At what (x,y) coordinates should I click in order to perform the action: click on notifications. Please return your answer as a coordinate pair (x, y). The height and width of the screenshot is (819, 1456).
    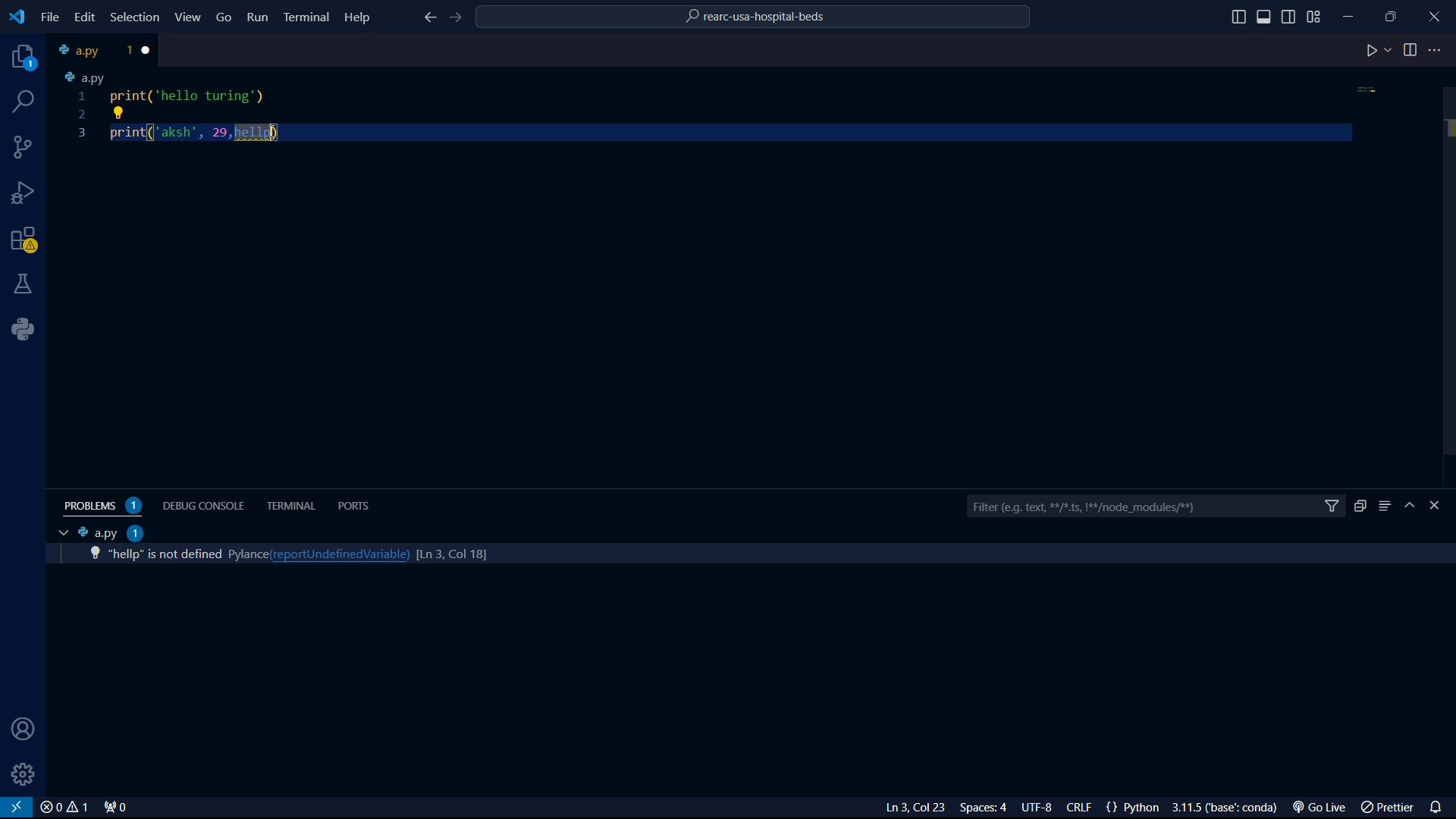
    Looking at the image, I should click on (1439, 805).